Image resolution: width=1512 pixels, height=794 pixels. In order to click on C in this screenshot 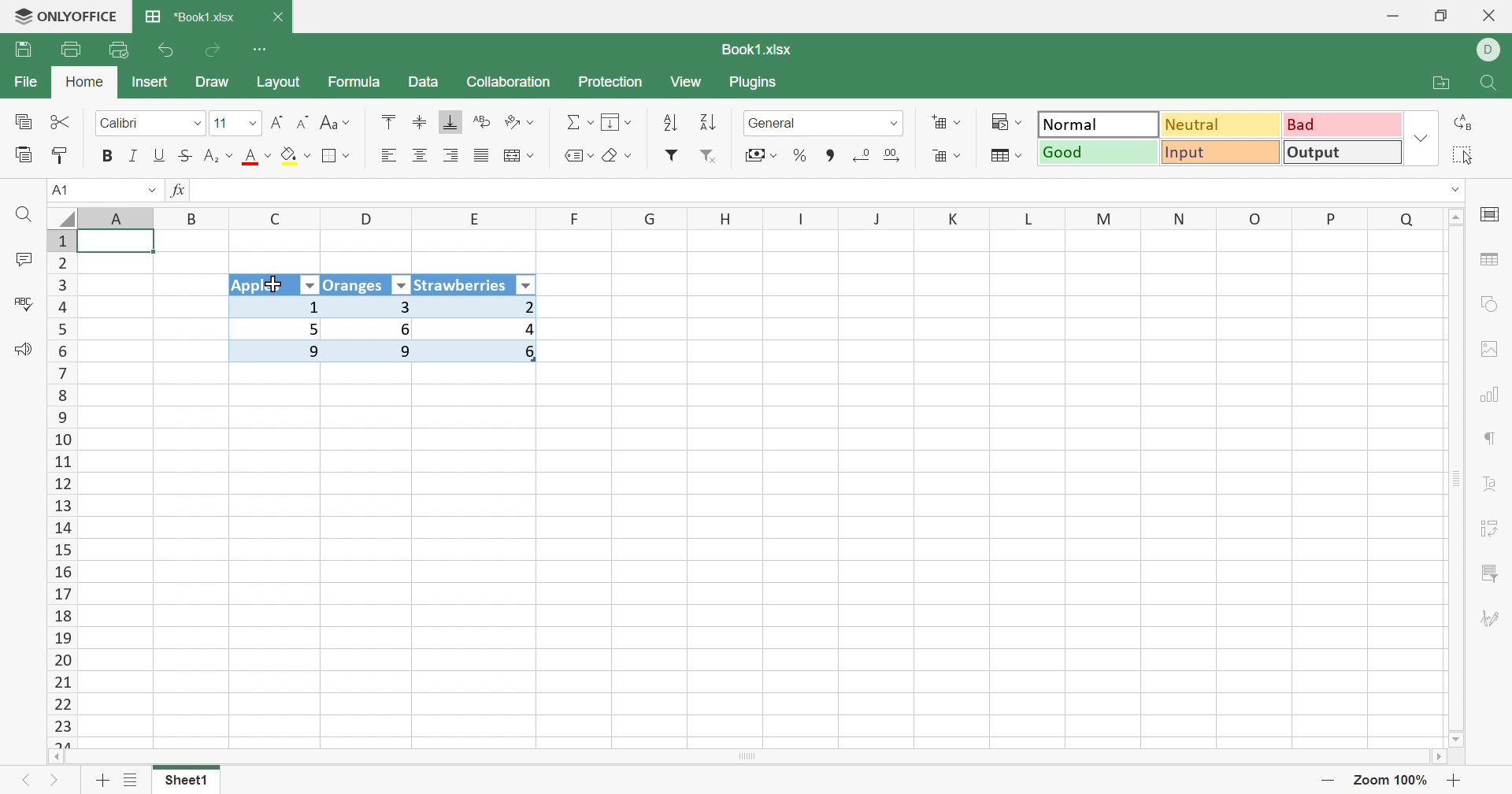, I will do `click(278, 220)`.